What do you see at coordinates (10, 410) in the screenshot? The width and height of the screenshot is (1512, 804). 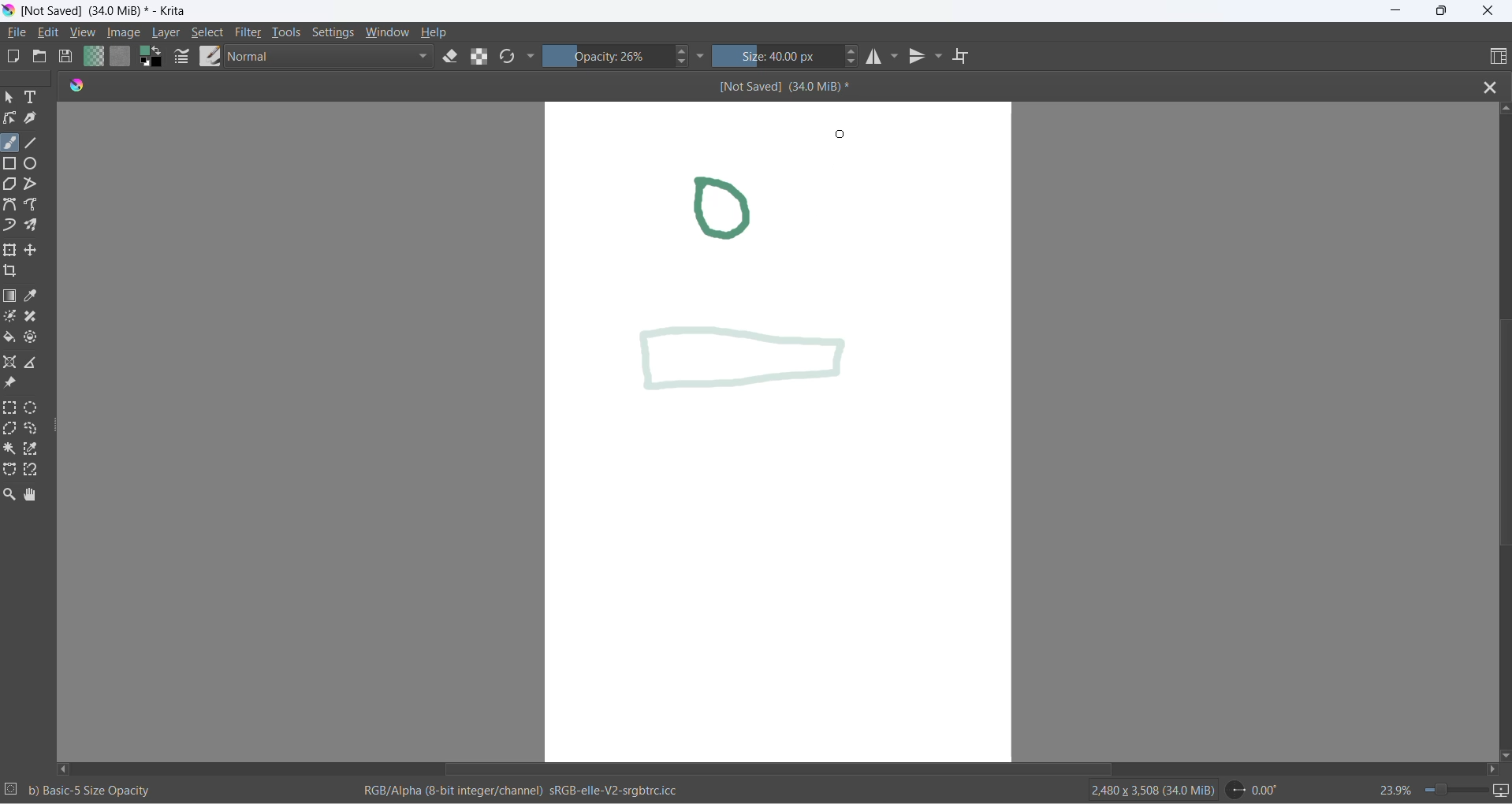 I see `rectangular selection tool` at bounding box center [10, 410].